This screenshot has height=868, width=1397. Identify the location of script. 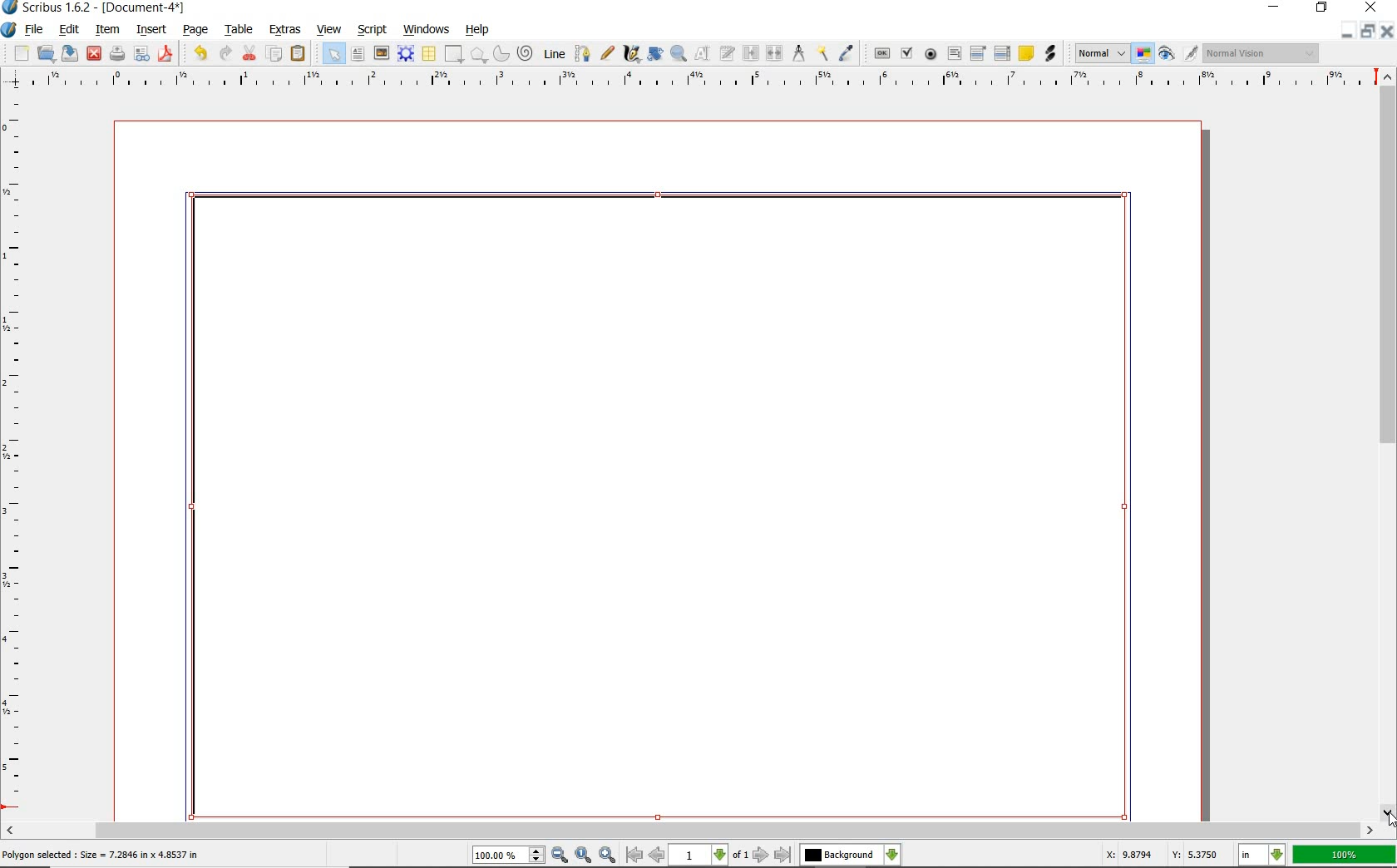
(374, 30).